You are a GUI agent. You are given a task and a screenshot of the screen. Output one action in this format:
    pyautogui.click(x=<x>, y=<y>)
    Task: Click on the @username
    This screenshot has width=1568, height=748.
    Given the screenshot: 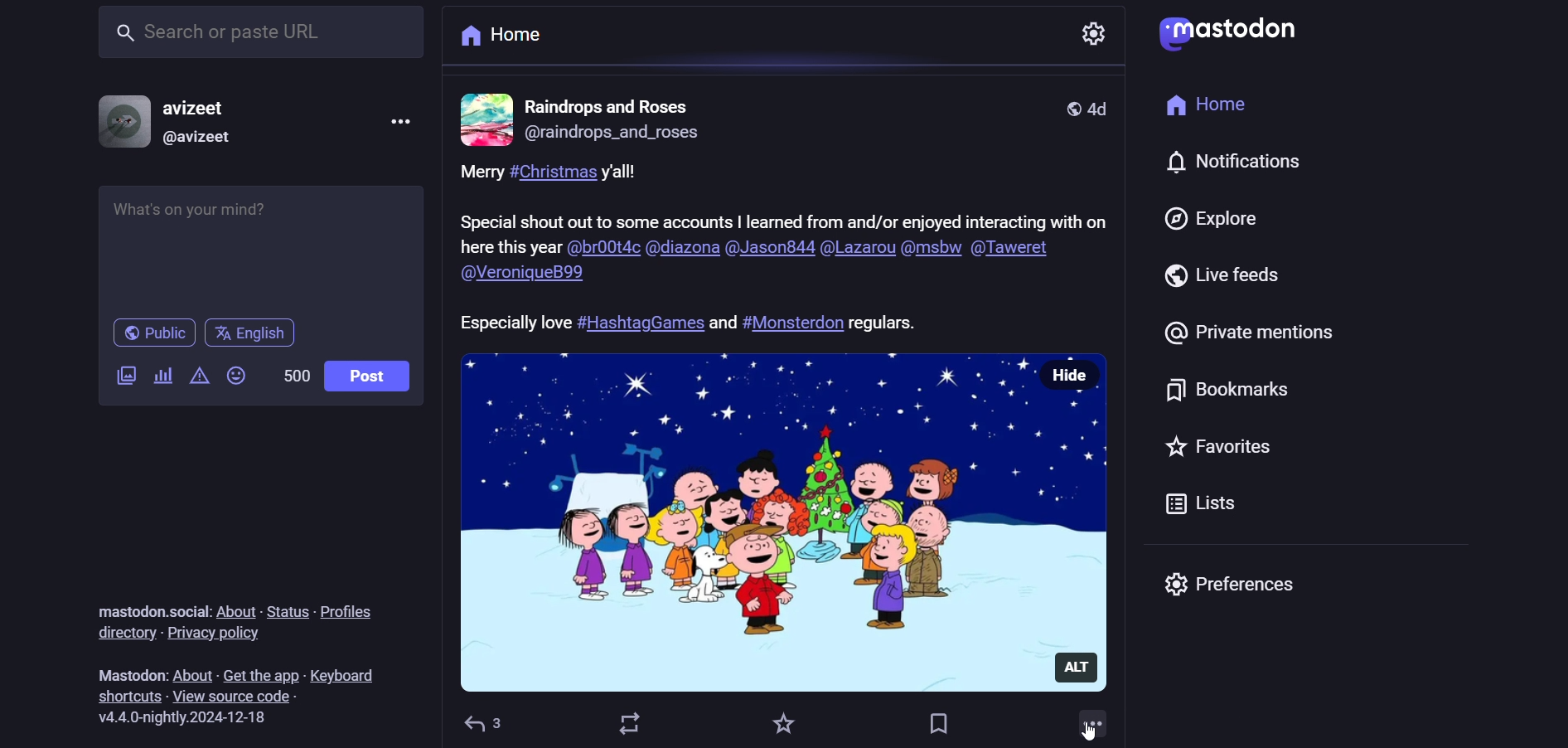 What is the action you would take?
    pyautogui.click(x=609, y=138)
    